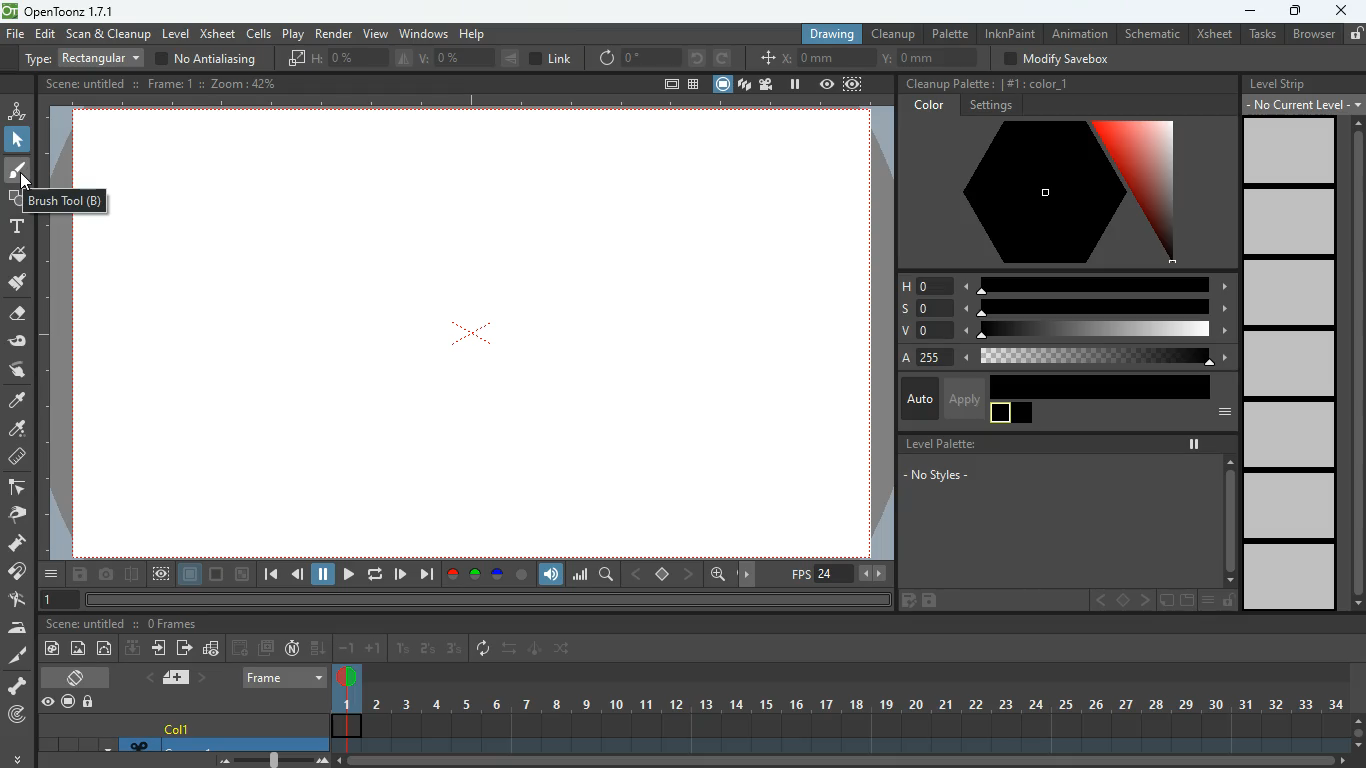  Describe the element at coordinates (1101, 386) in the screenshot. I see `color ` at that location.